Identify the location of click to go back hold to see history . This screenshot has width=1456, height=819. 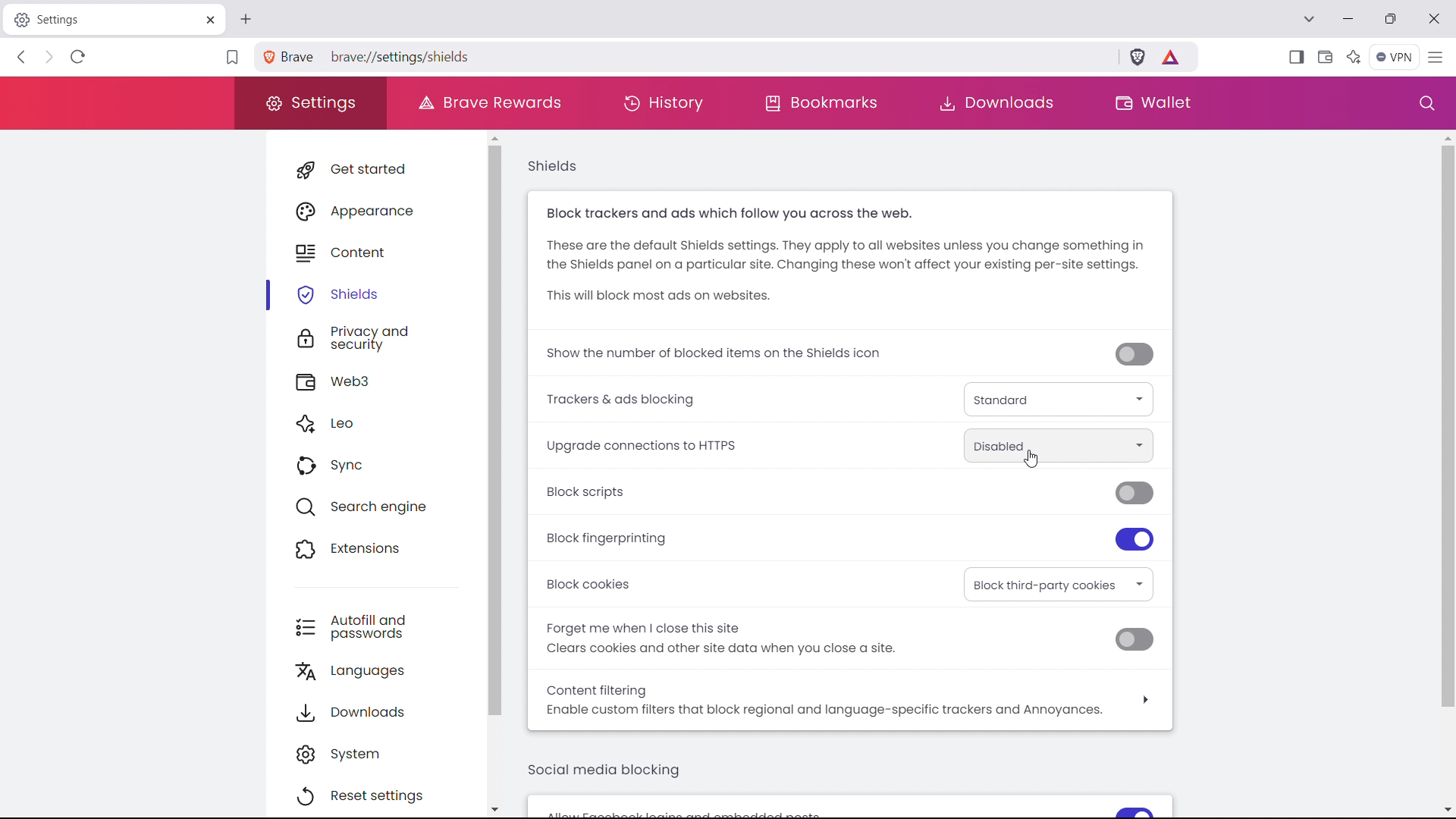
(22, 56).